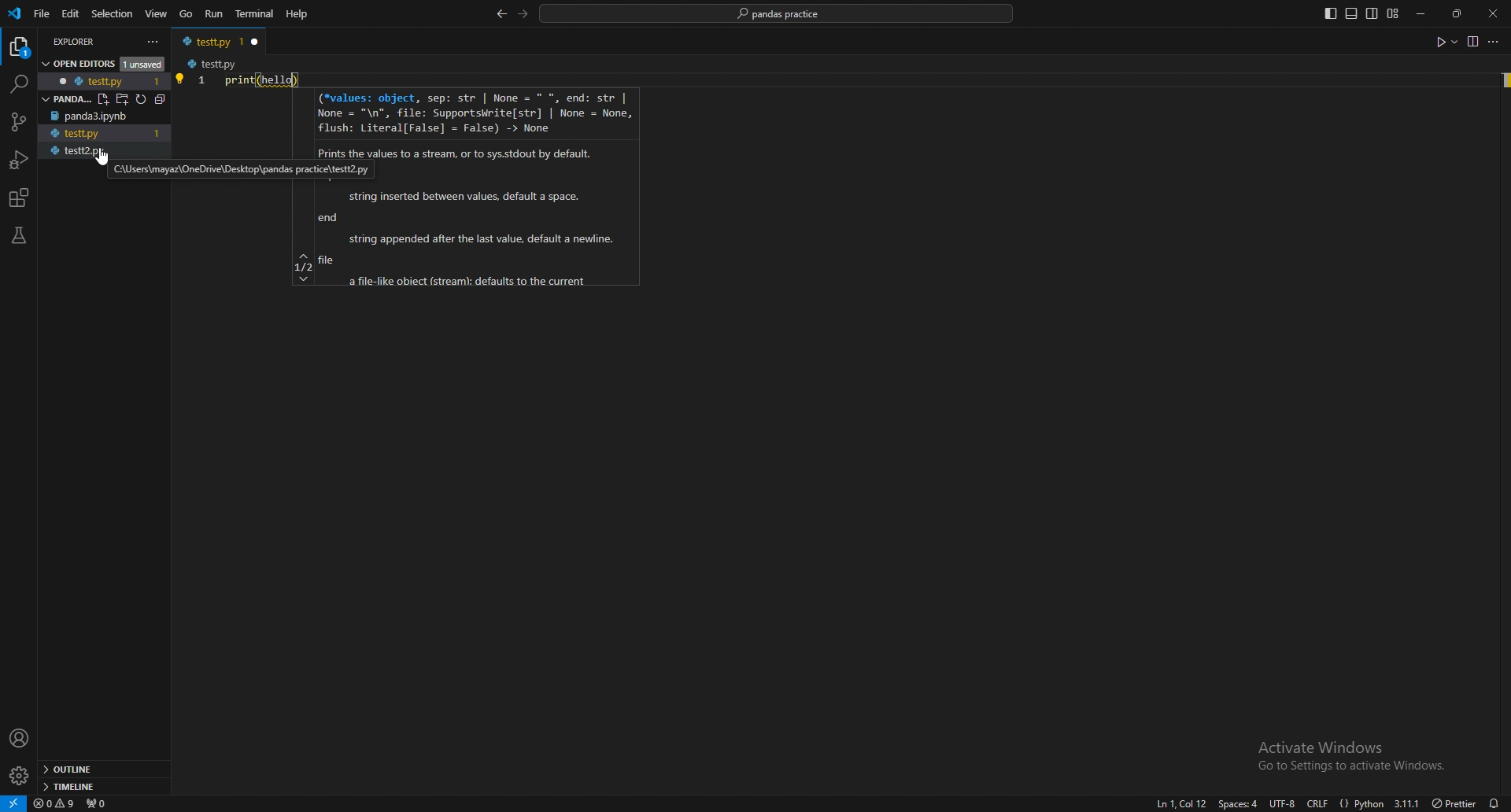 This screenshot has width=1511, height=812. I want to click on selection, so click(113, 13).